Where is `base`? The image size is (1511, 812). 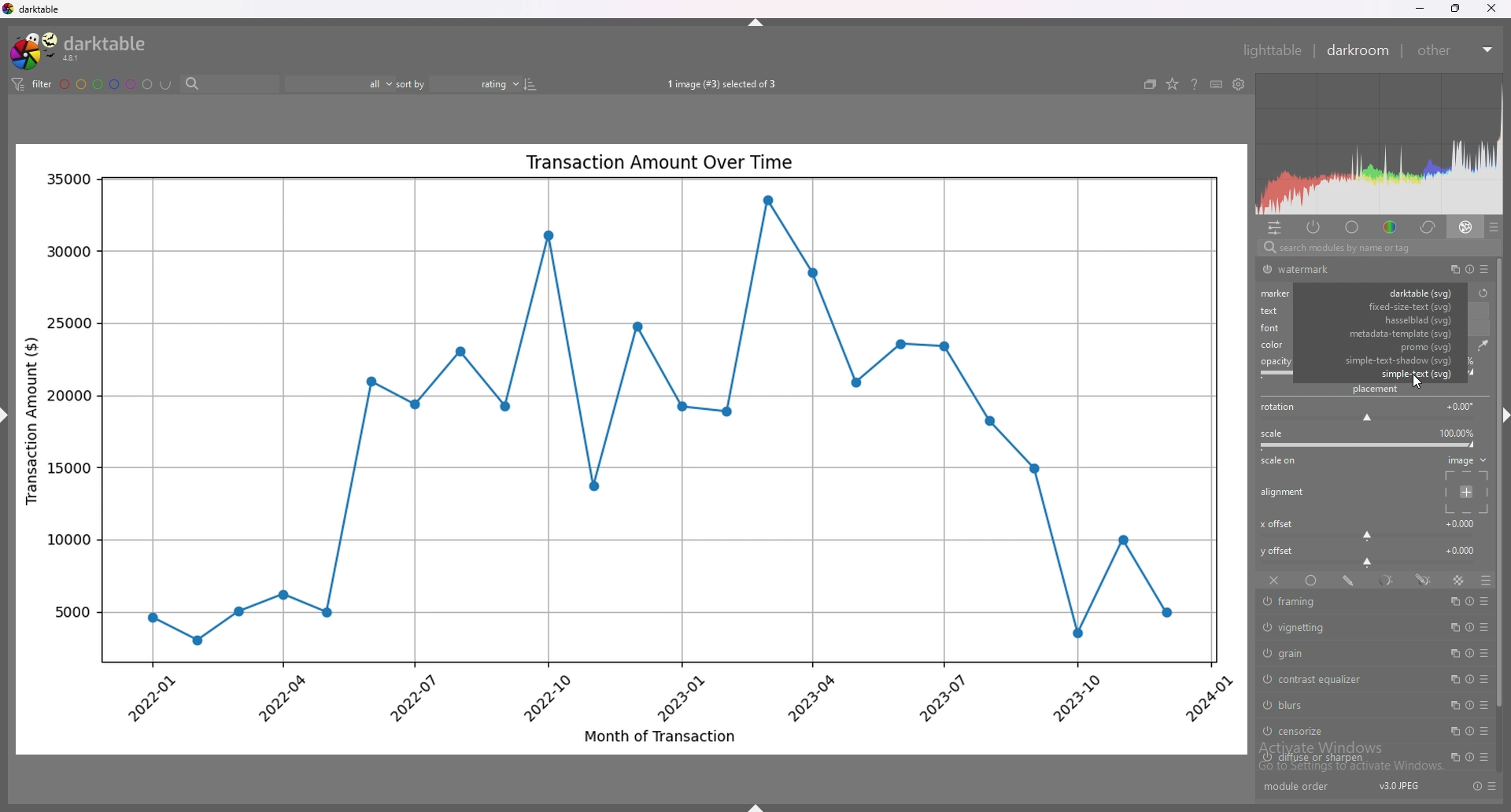
base is located at coordinates (1352, 227).